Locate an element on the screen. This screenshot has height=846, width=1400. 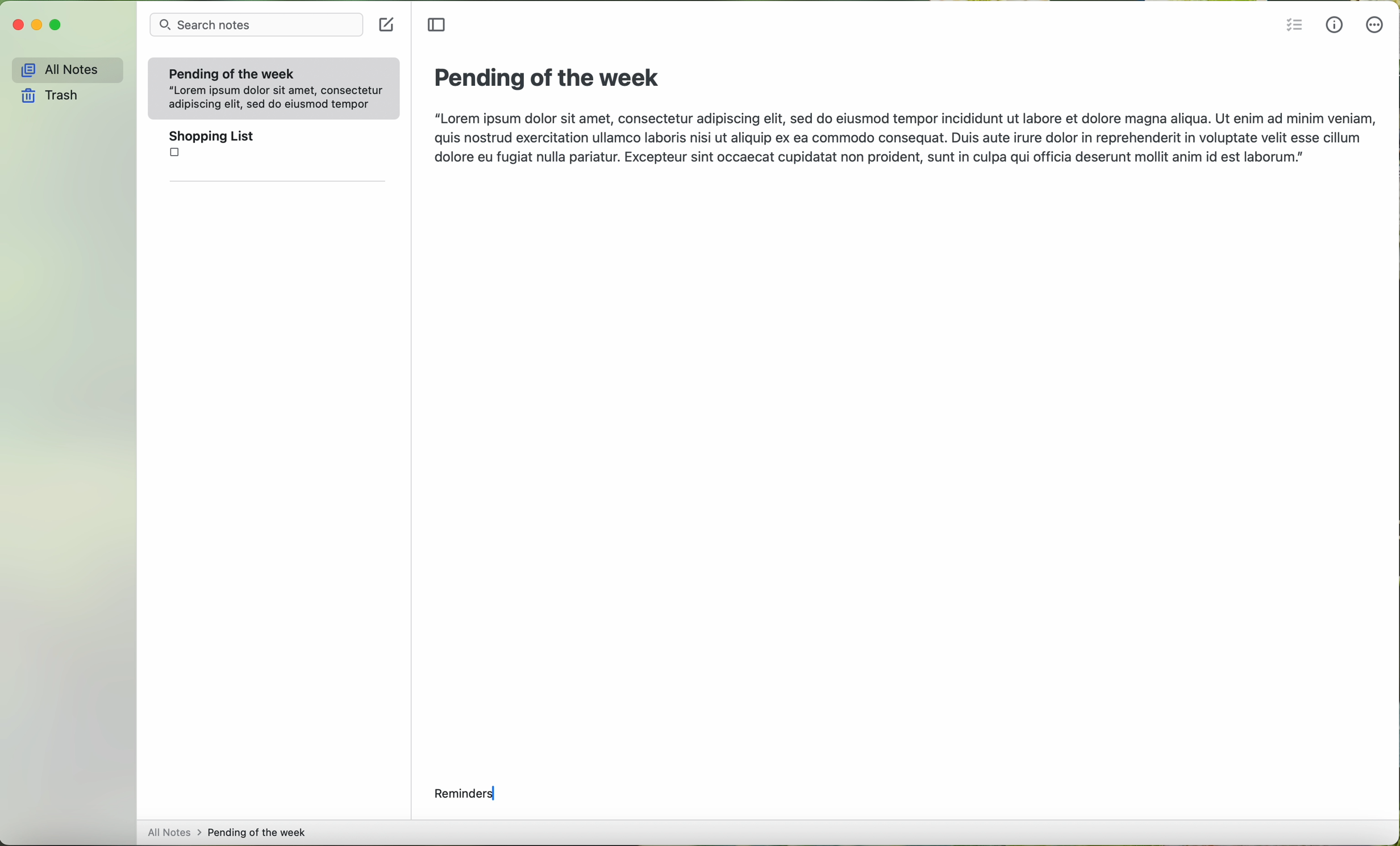
close program is located at coordinates (16, 25).